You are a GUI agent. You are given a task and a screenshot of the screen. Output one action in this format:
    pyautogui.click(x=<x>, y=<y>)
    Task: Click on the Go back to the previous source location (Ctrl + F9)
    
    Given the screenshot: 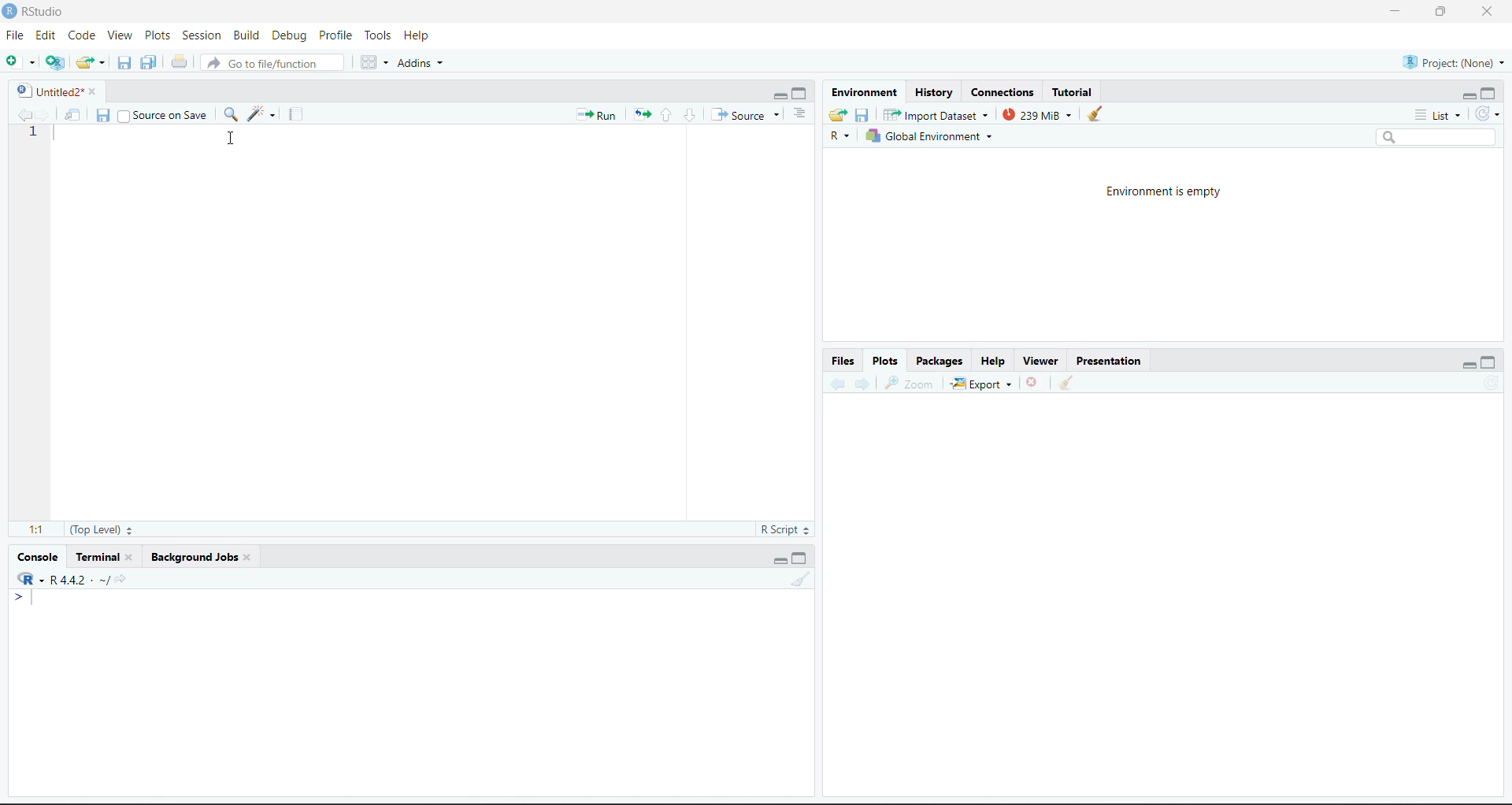 What is the action you would take?
    pyautogui.click(x=832, y=382)
    